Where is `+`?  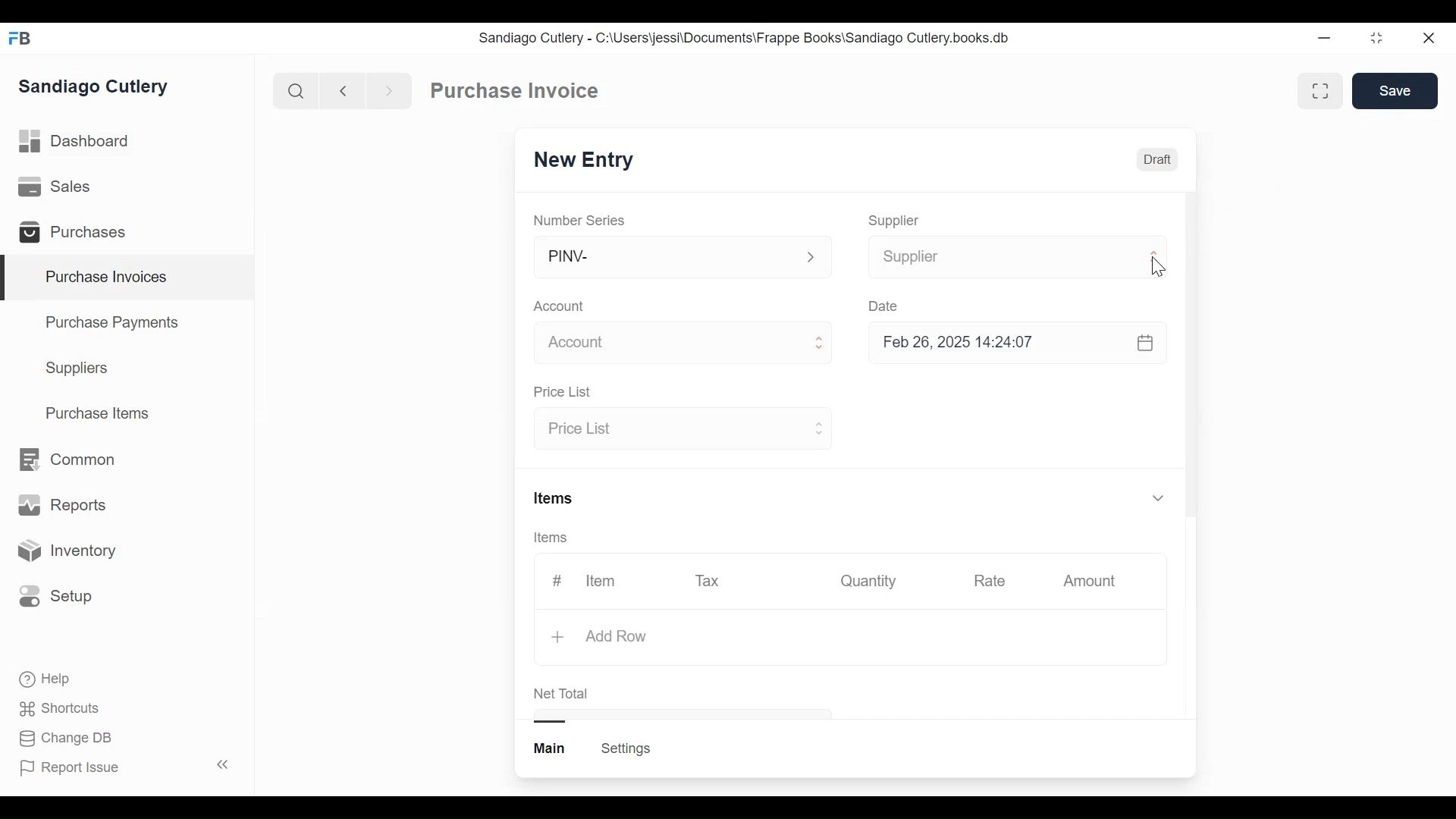 + is located at coordinates (560, 639).